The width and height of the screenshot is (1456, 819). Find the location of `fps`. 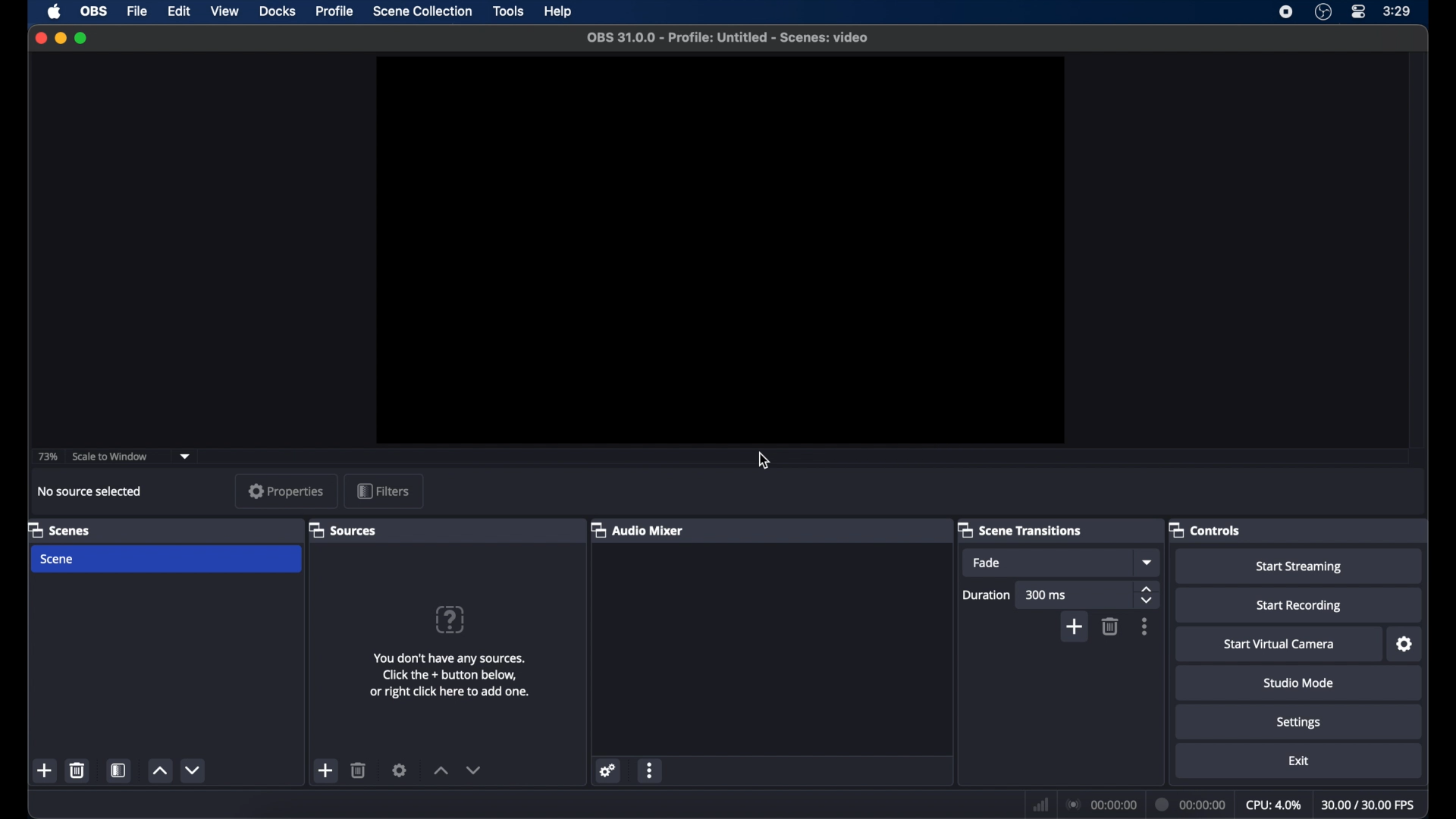

fps is located at coordinates (1370, 805).